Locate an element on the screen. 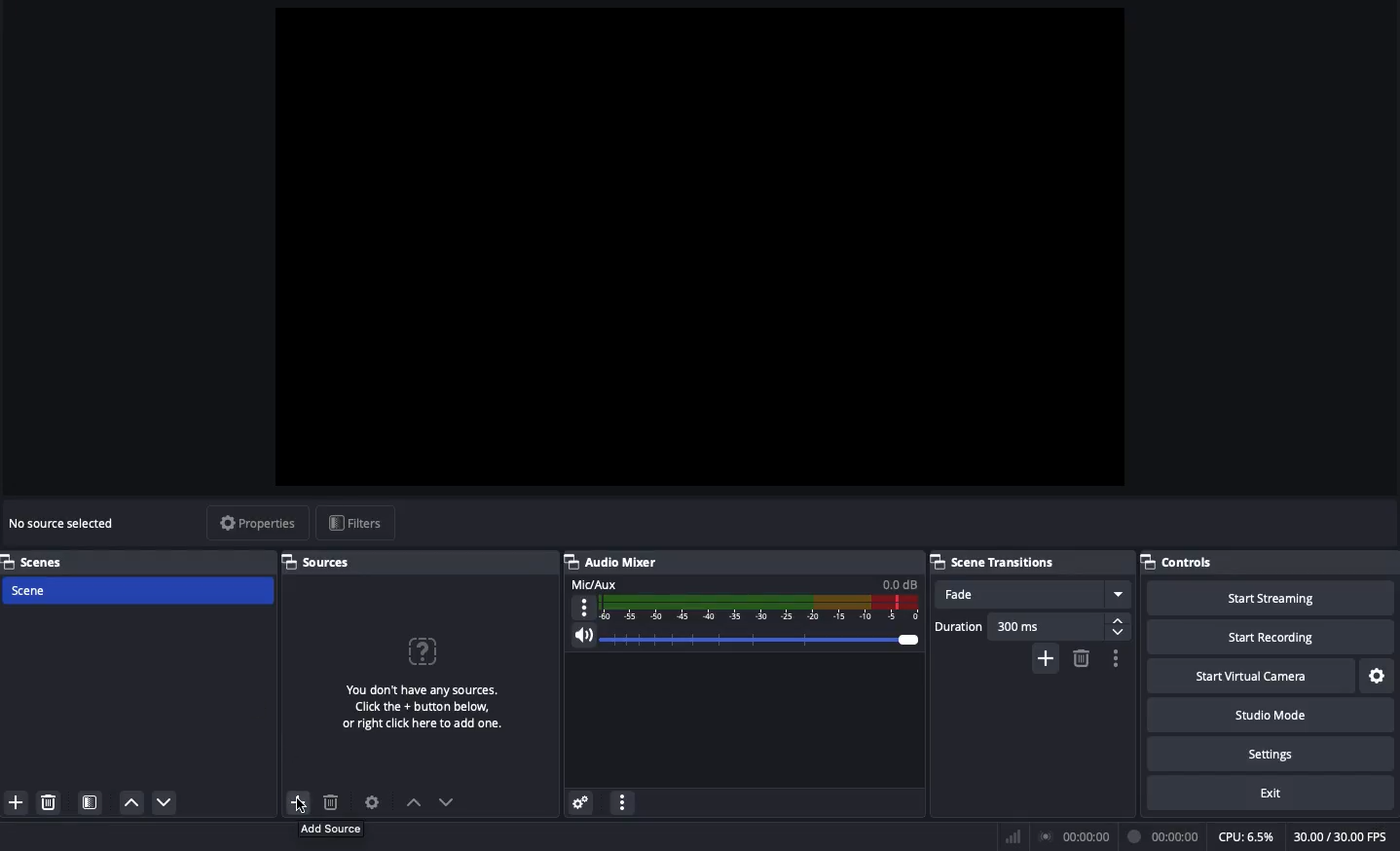 The height and width of the screenshot is (851, 1400). Broadcast is located at coordinates (1072, 836).